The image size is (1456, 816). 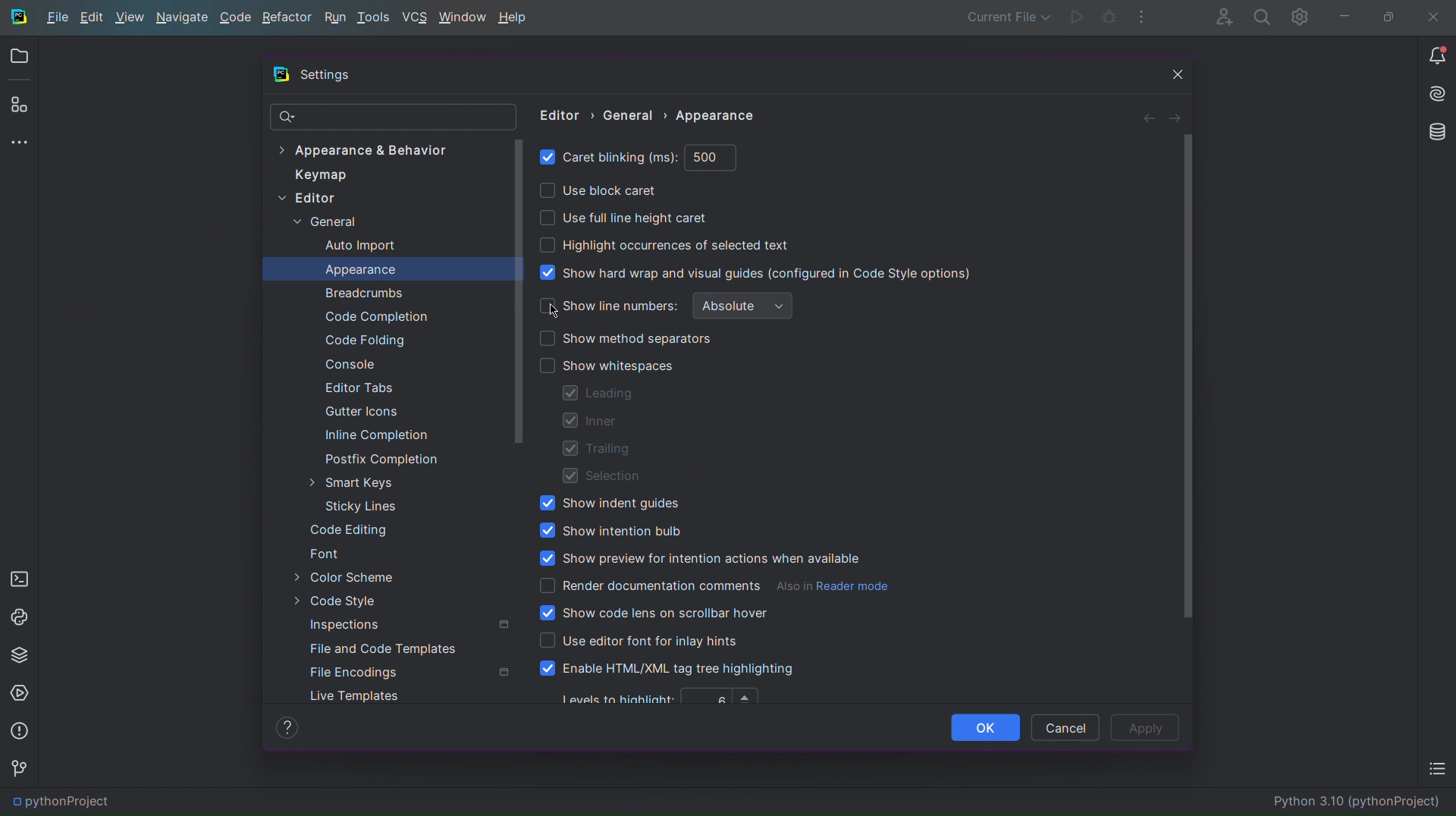 I want to click on Help, so click(x=516, y=17).